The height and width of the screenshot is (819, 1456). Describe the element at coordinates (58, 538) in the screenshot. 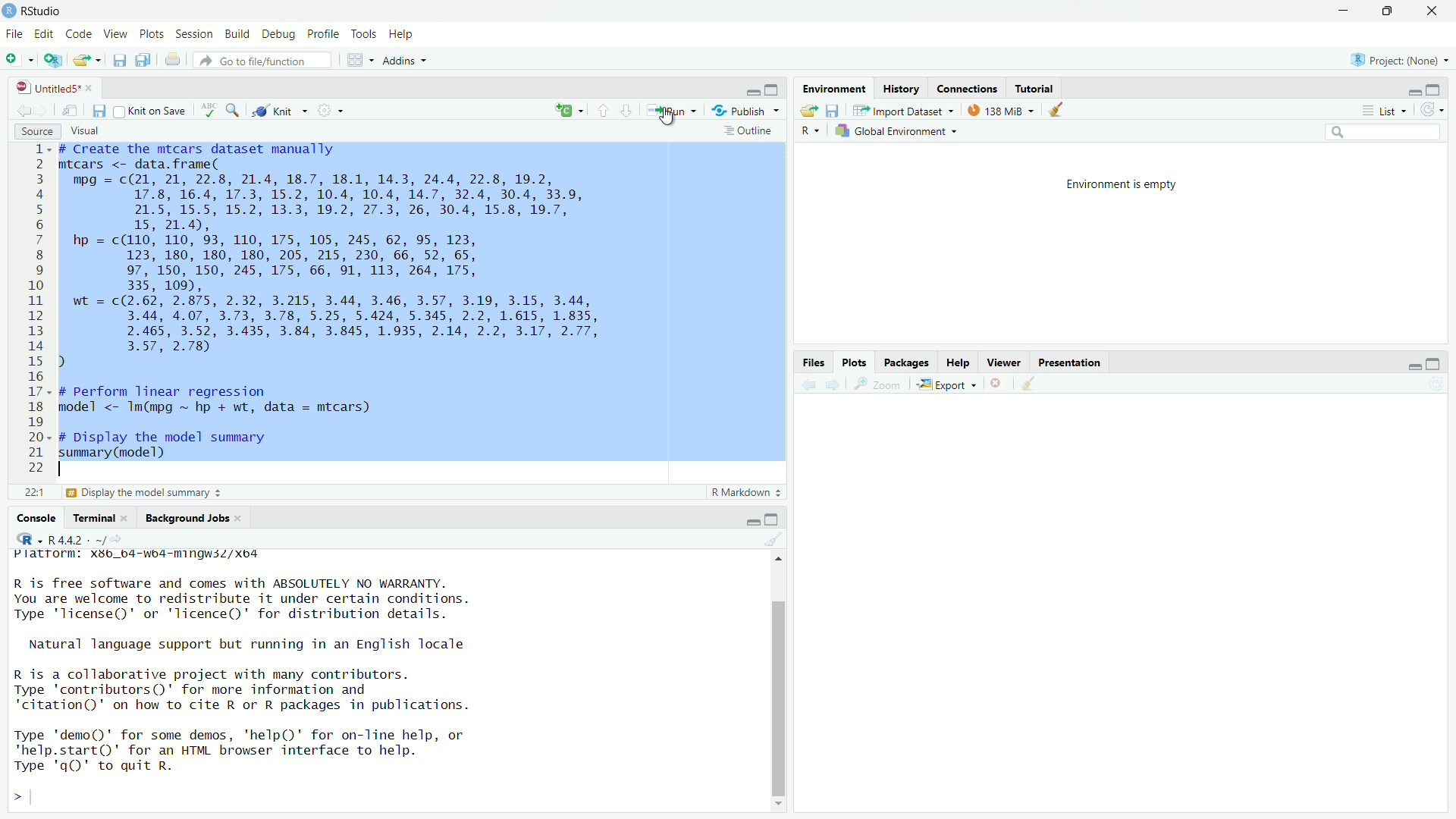

I see `R 4.4.2` at that location.